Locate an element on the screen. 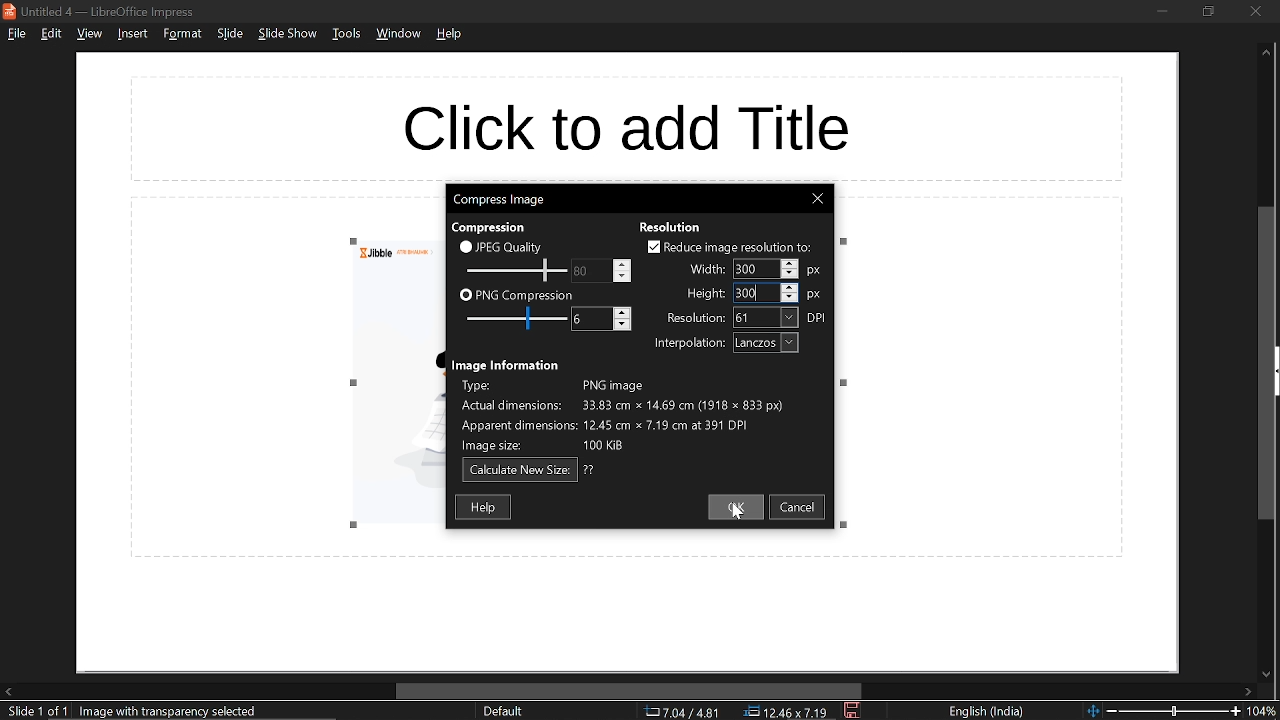 The width and height of the screenshot is (1280, 720). text is located at coordinates (590, 470).